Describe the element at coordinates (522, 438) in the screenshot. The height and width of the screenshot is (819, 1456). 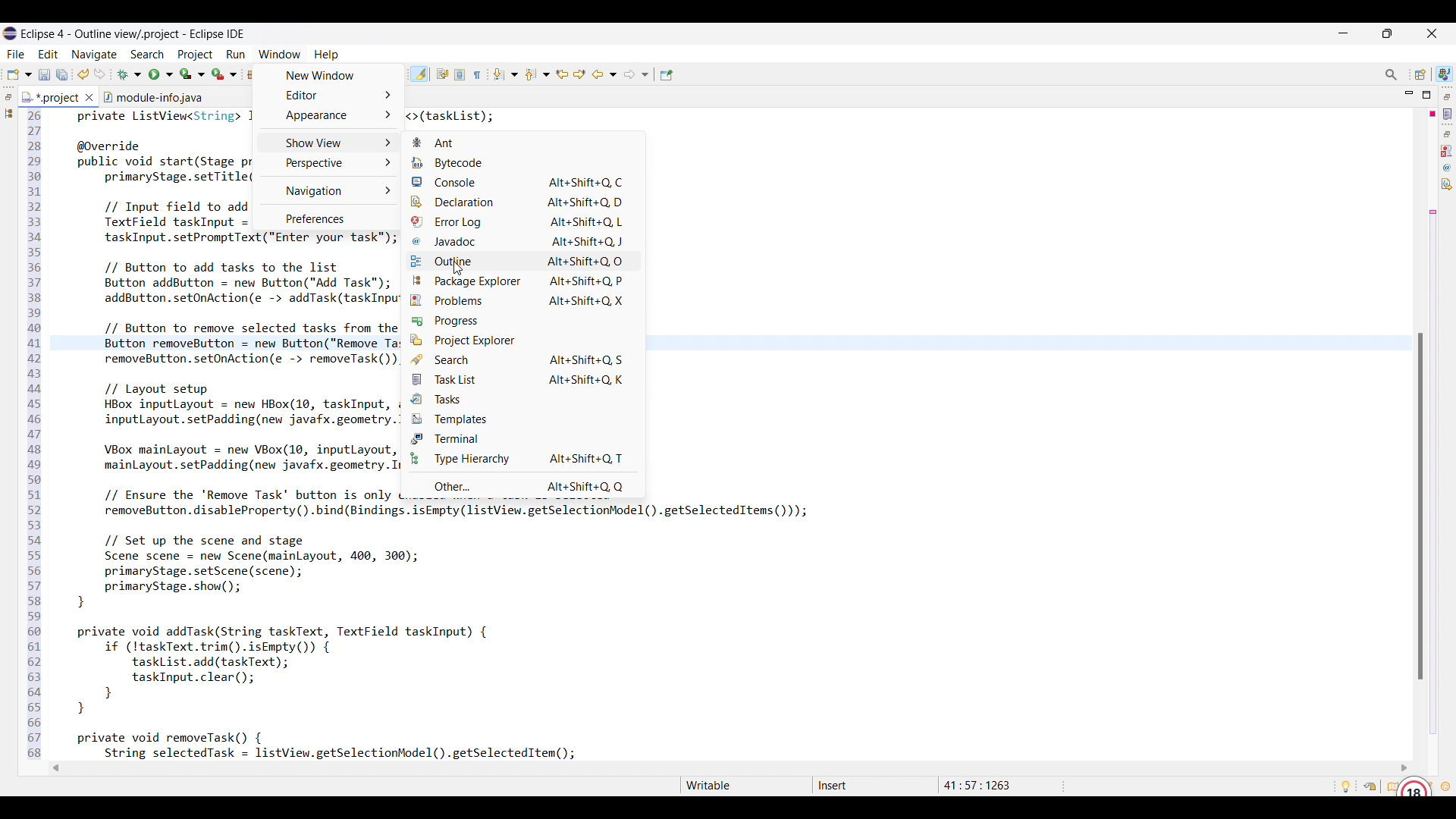
I see `Terminal` at that location.